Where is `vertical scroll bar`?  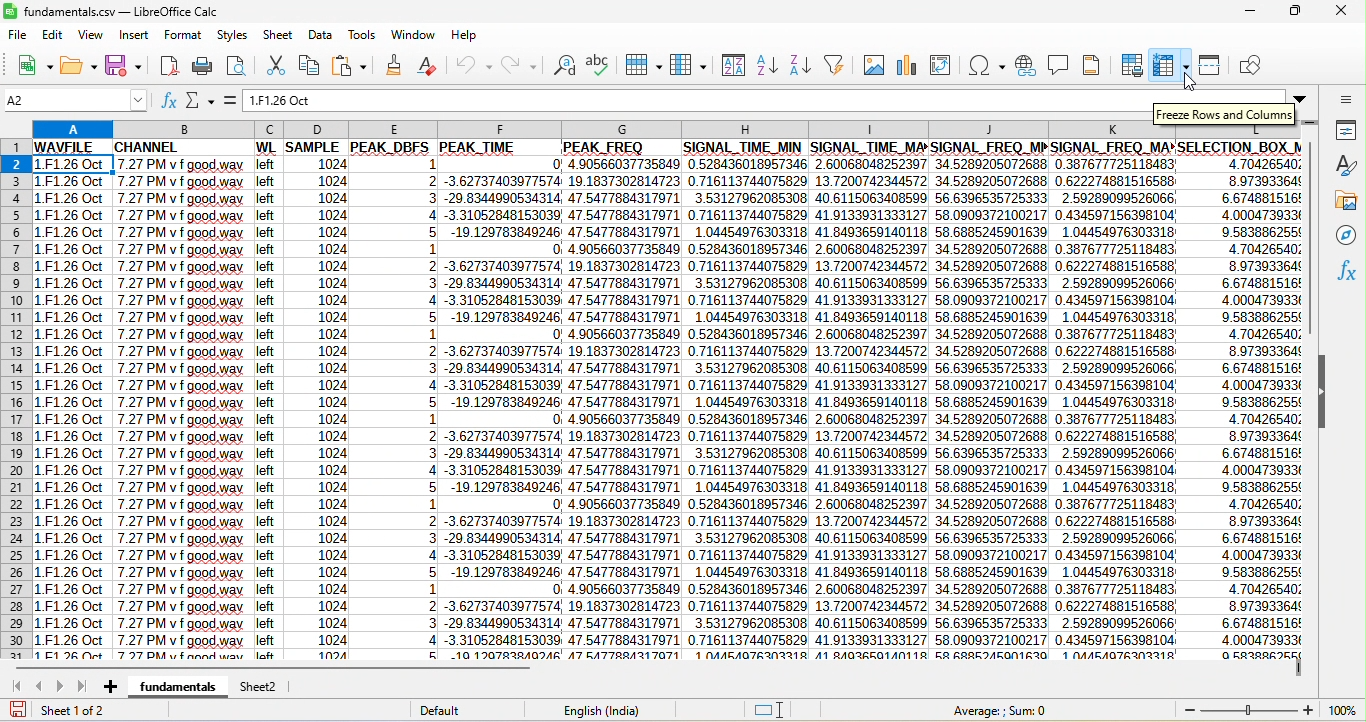
vertical scroll bar is located at coordinates (1315, 242).